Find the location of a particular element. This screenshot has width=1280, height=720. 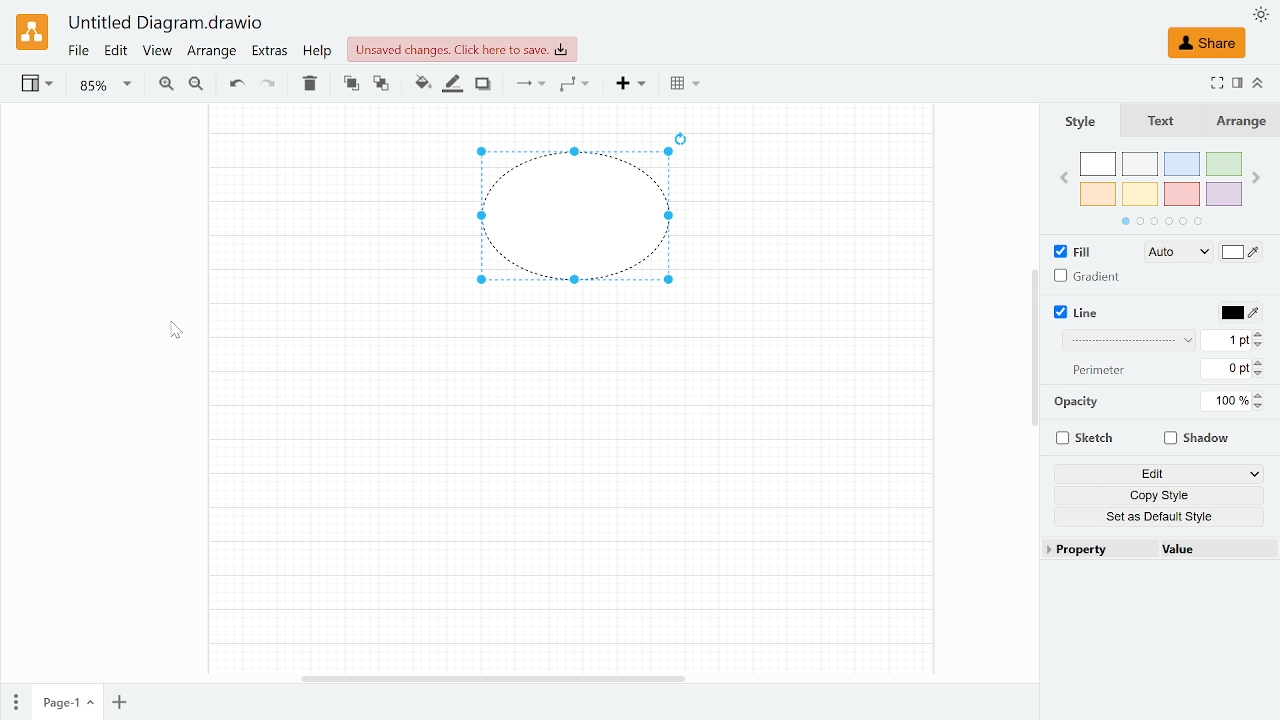

Next is located at coordinates (1256, 176).